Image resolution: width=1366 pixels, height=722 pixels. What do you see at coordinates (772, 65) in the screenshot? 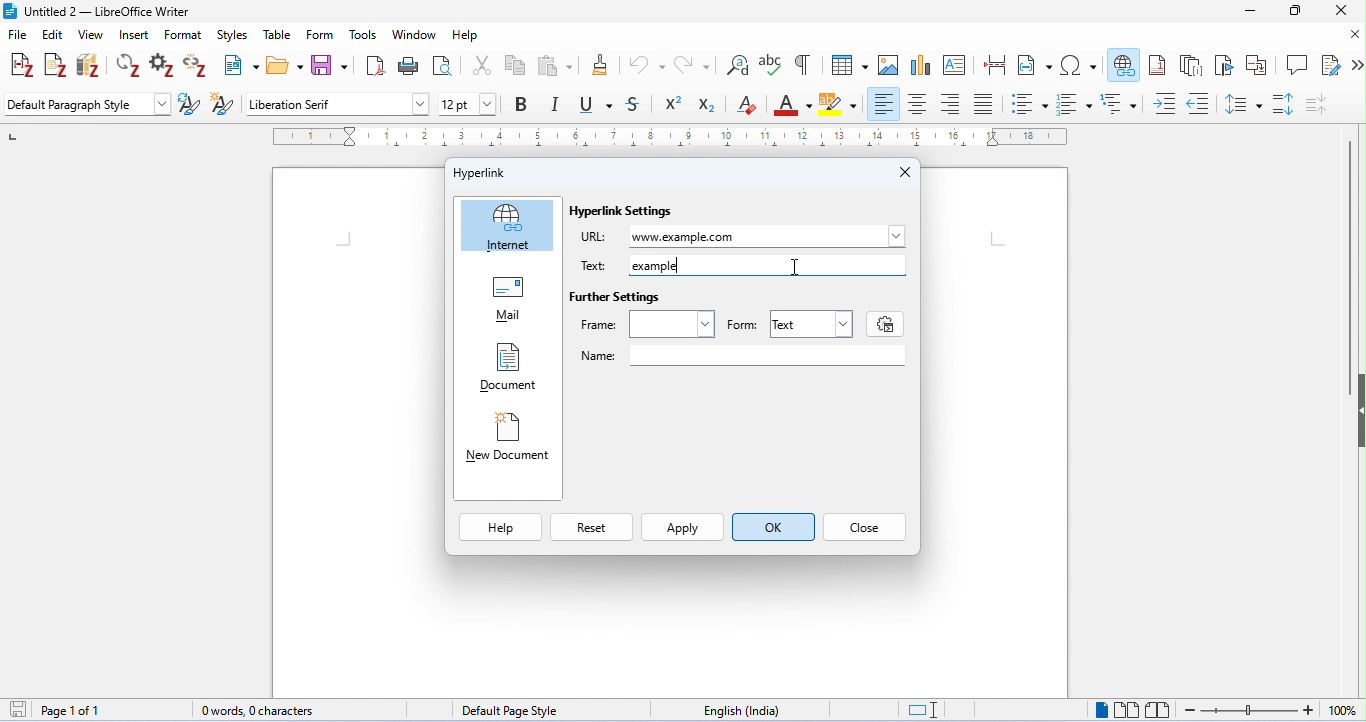
I see `spelling` at bounding box center [772, 65].